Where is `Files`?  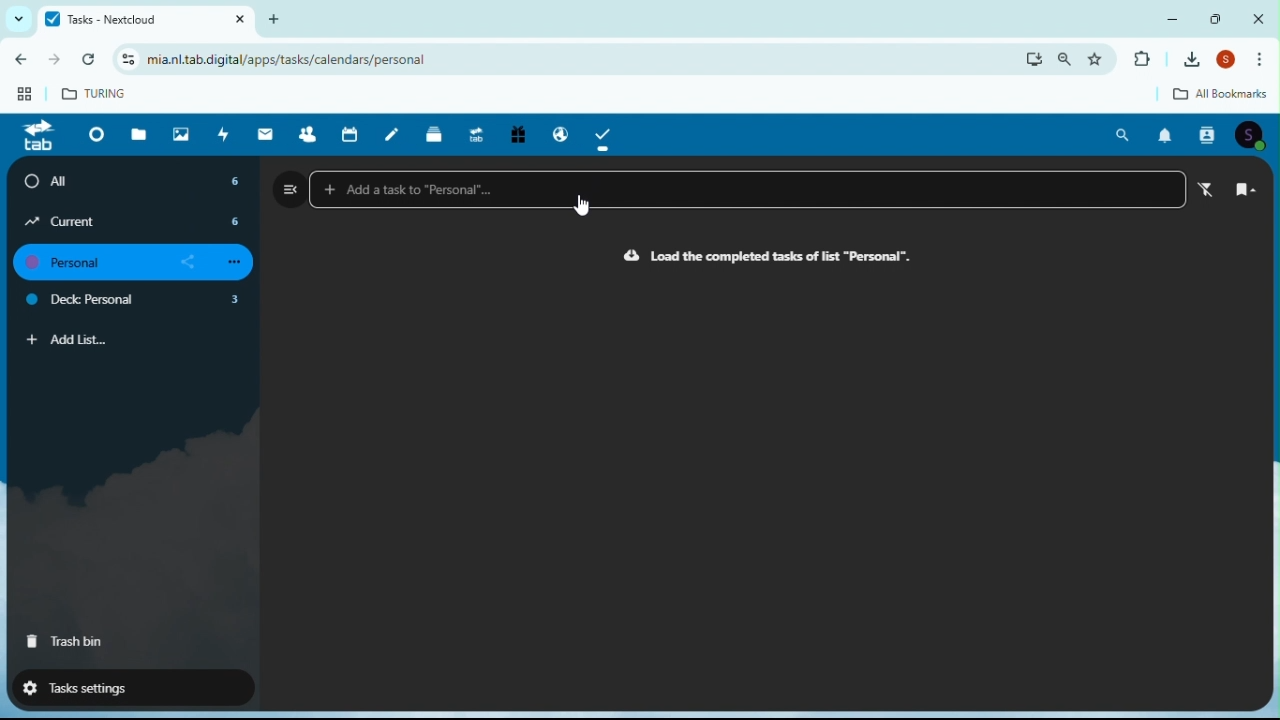
Files is located at coordinates (142, 133).